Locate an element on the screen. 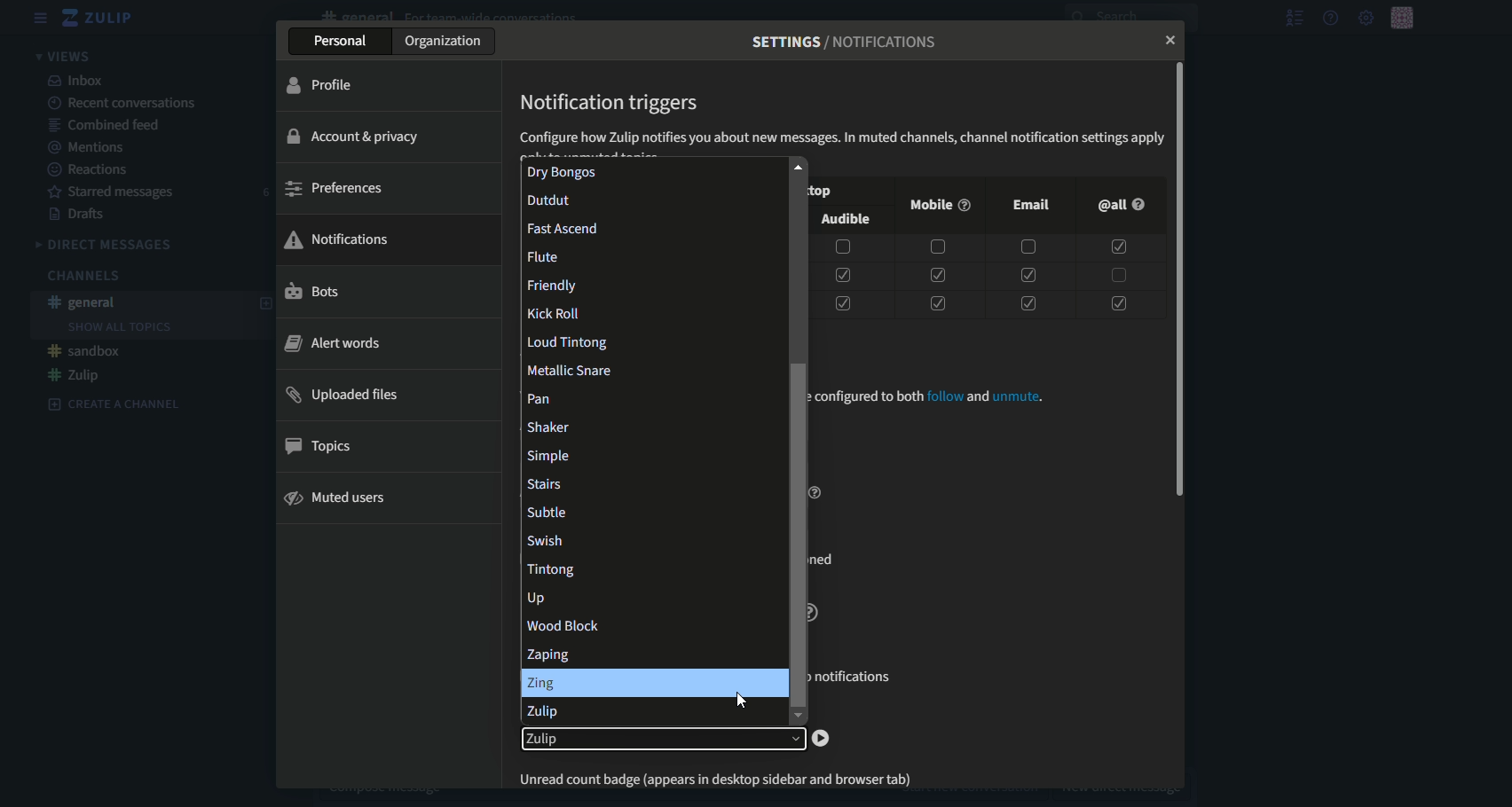  close is located at coordinates (1166, 42).